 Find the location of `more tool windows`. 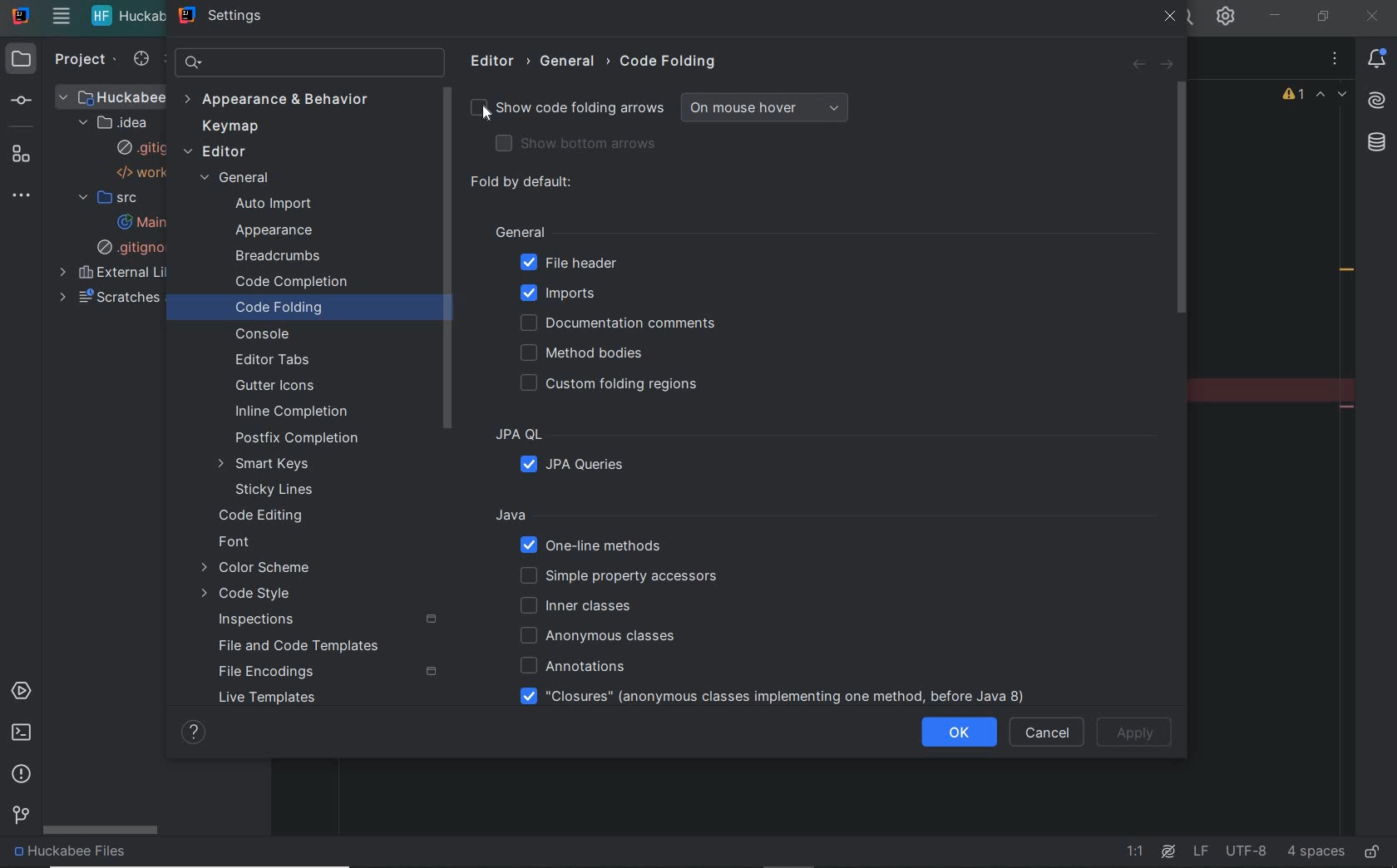

more tool windows is located at coordinates (27, 196).